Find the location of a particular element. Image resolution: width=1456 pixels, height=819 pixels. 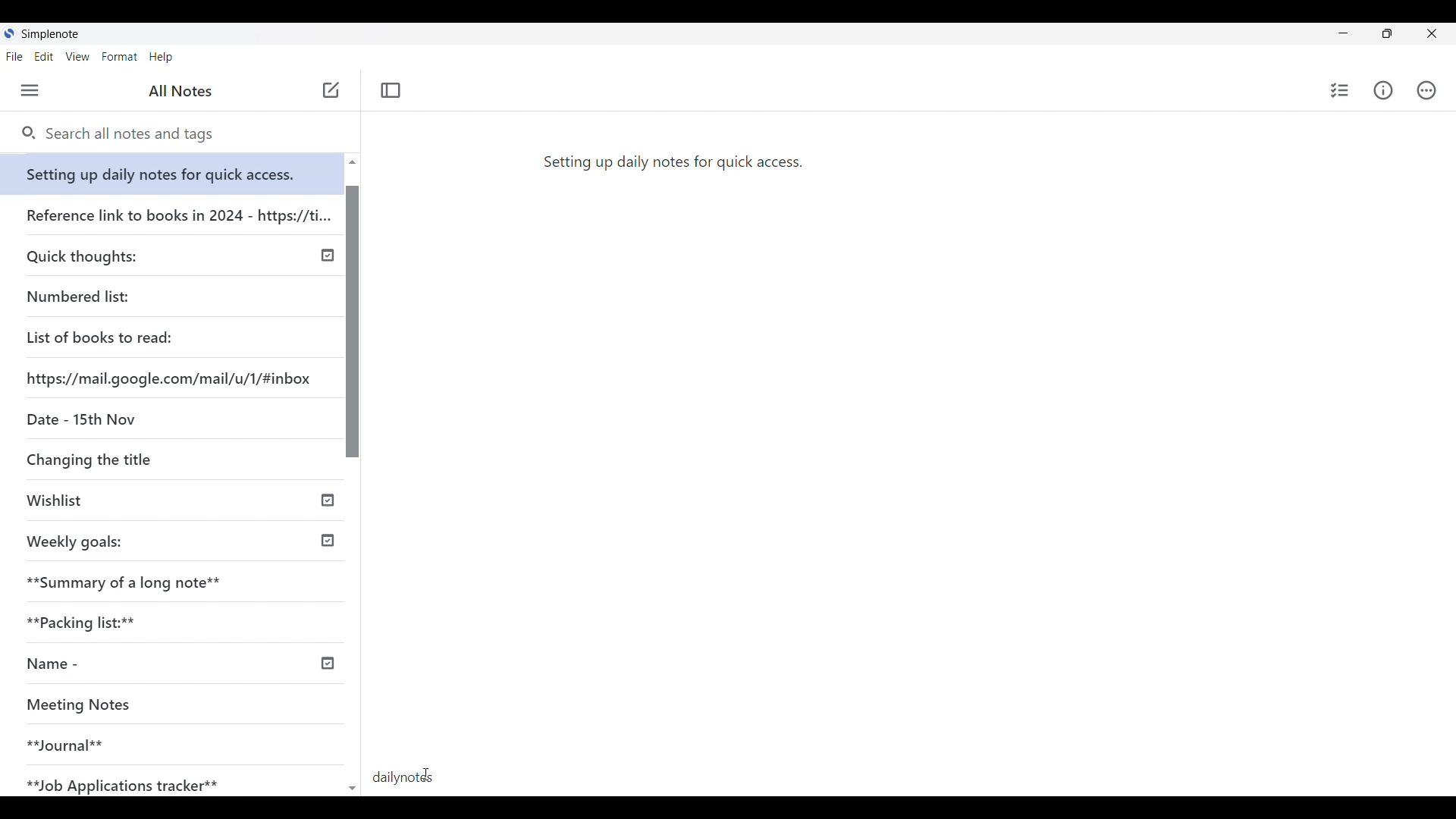

cursor is located at coordinates (425, 777).